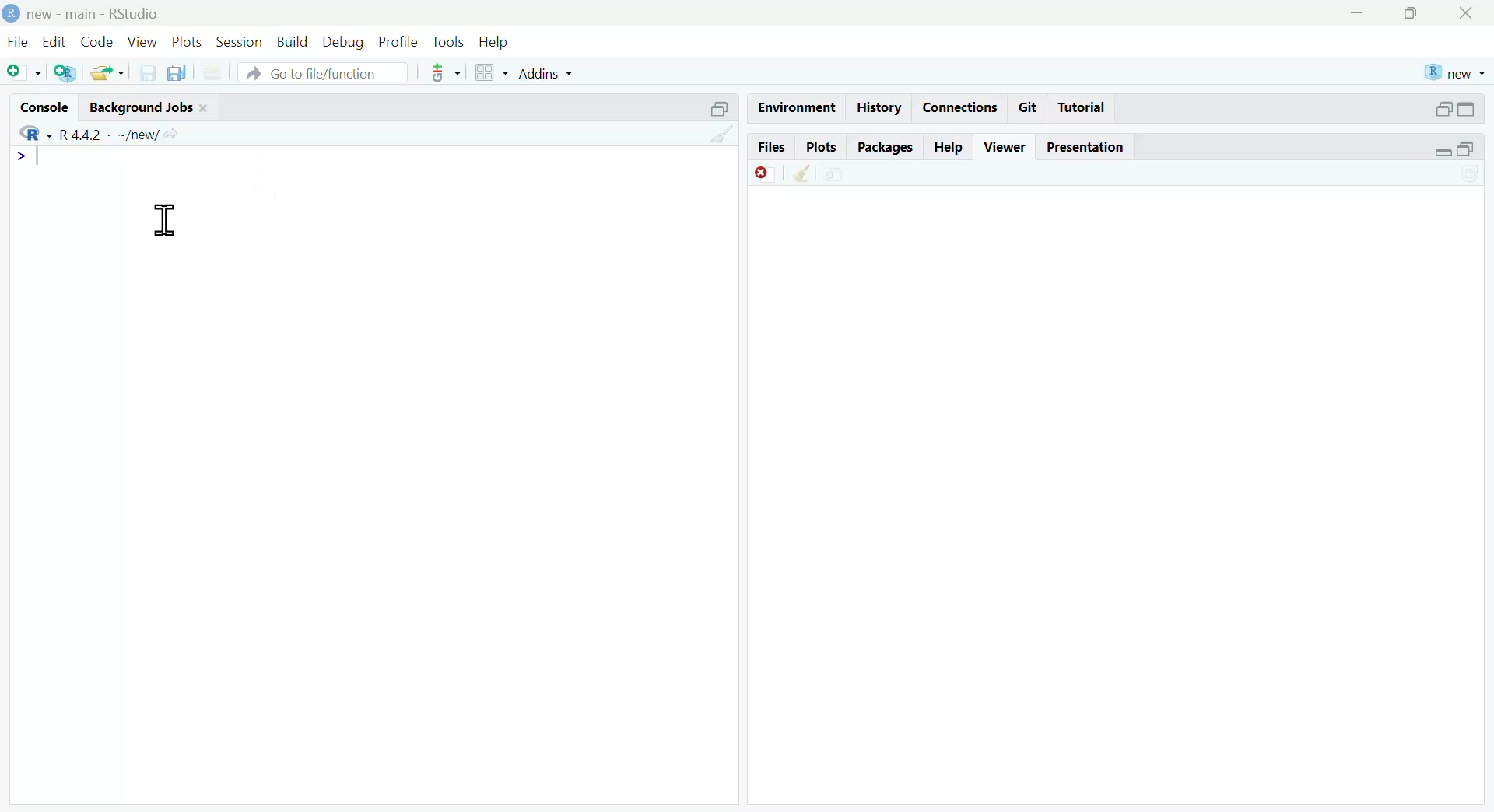  What do you see at coordinates (239, 40) in the screenshot?
I see `Session` at bounding box center [239, 40].